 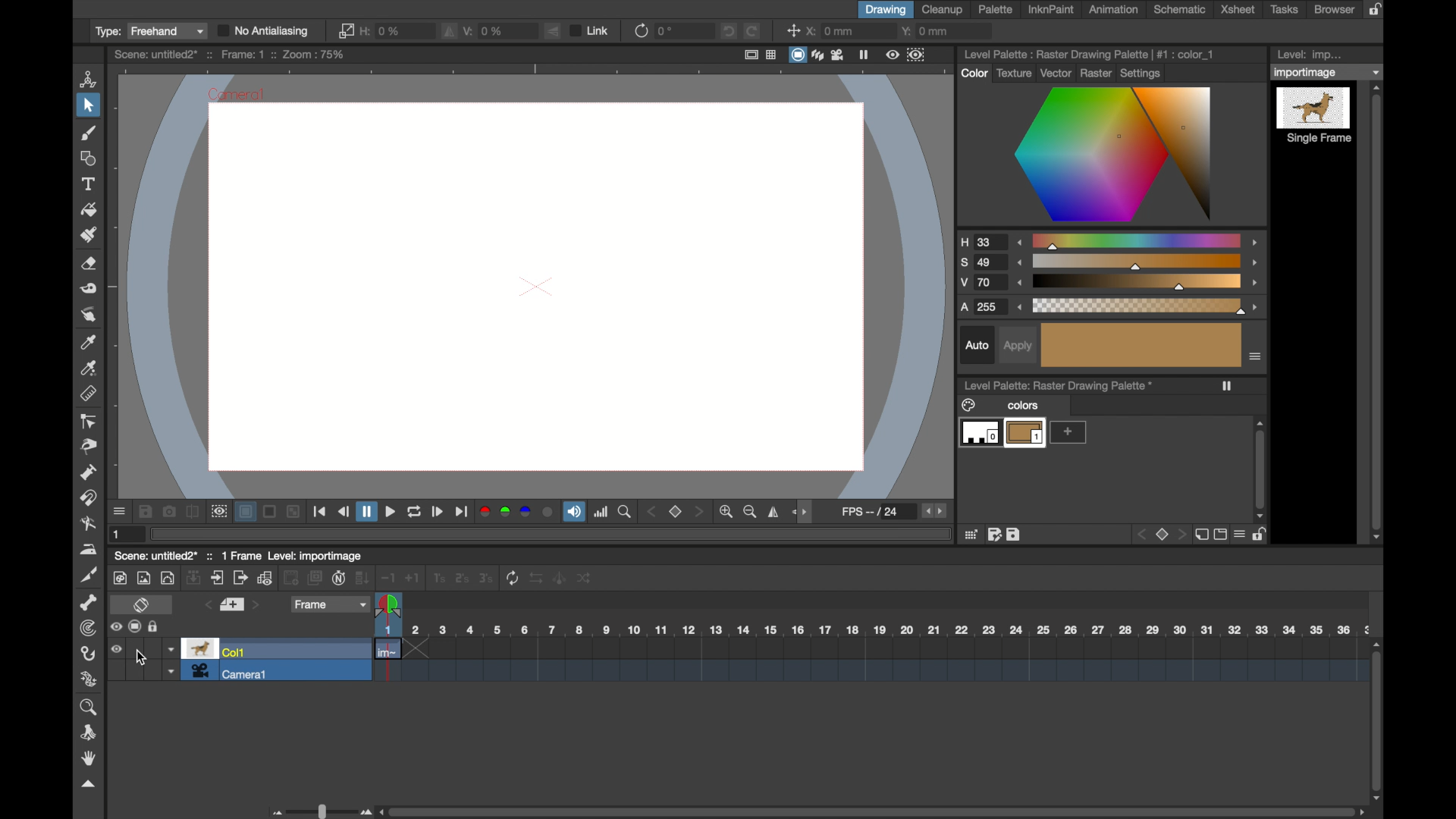 I want to click on color wheel, so click(x=1115, y=156).